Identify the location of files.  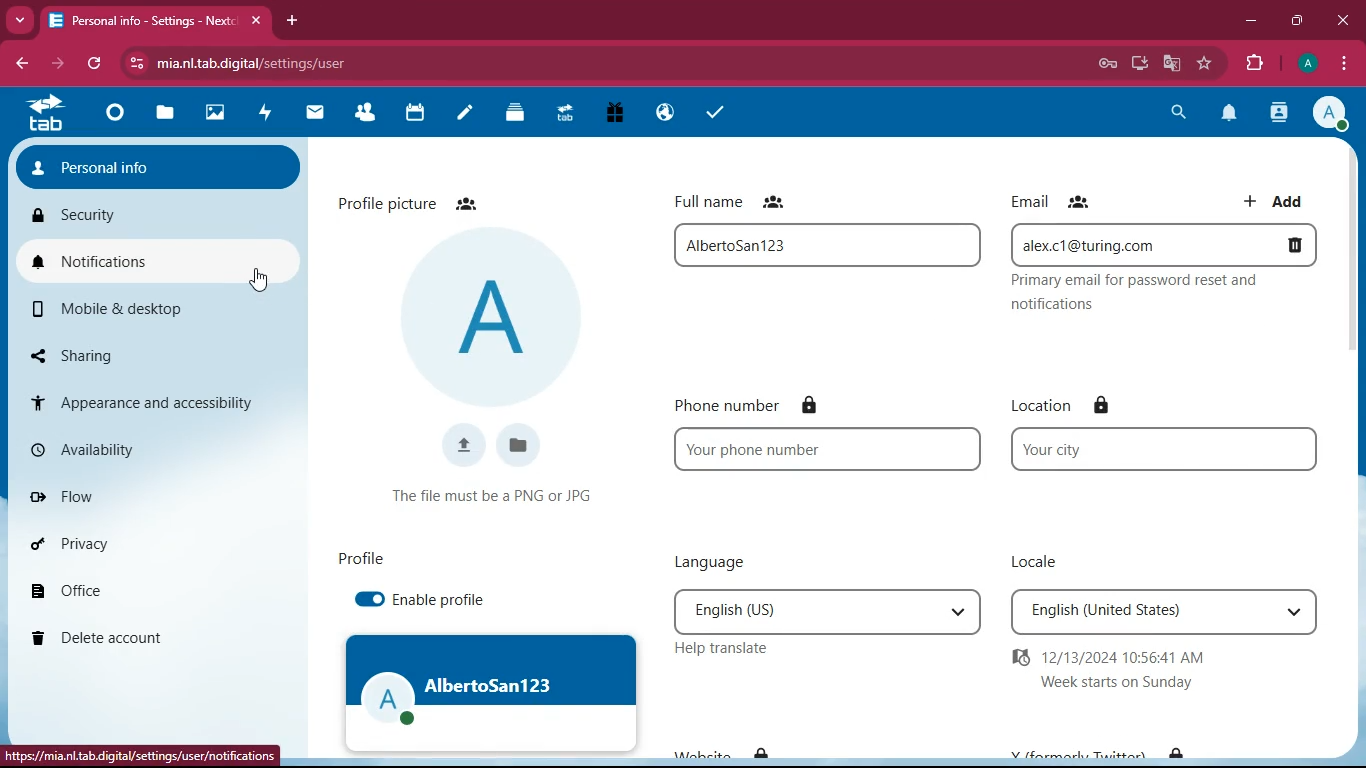
(517, 447).